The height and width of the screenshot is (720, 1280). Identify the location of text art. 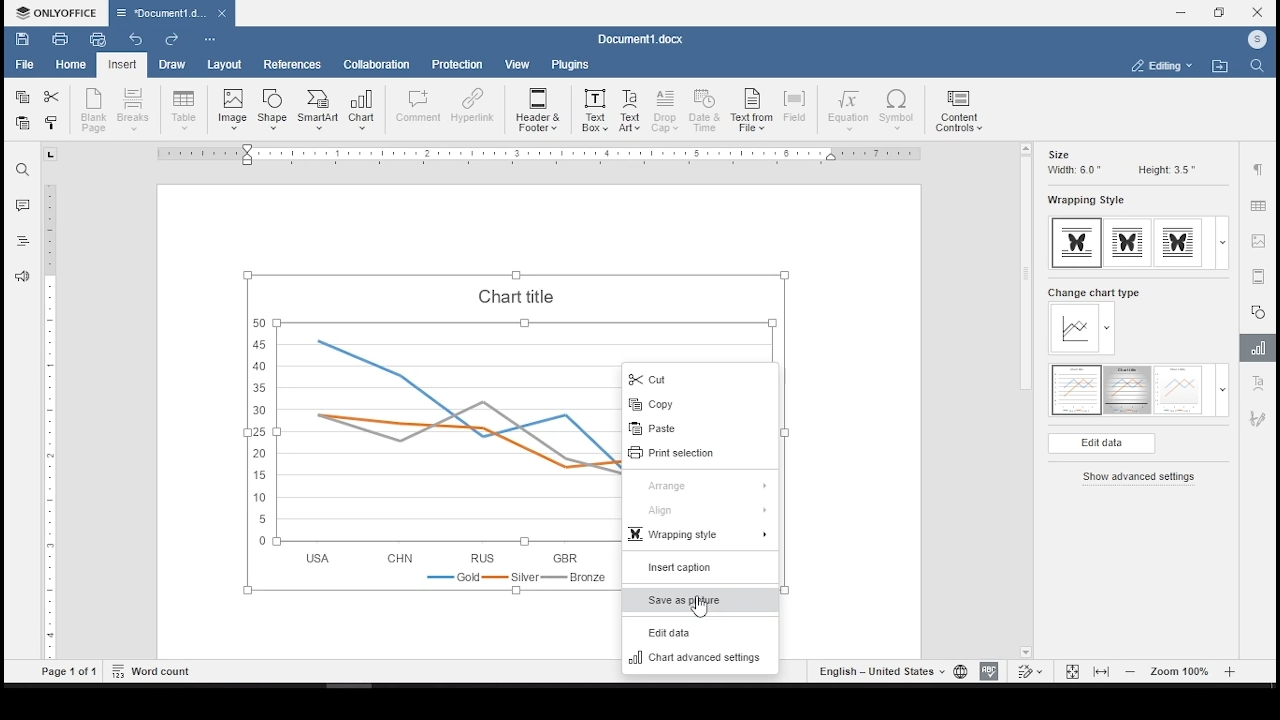
(631, 110).